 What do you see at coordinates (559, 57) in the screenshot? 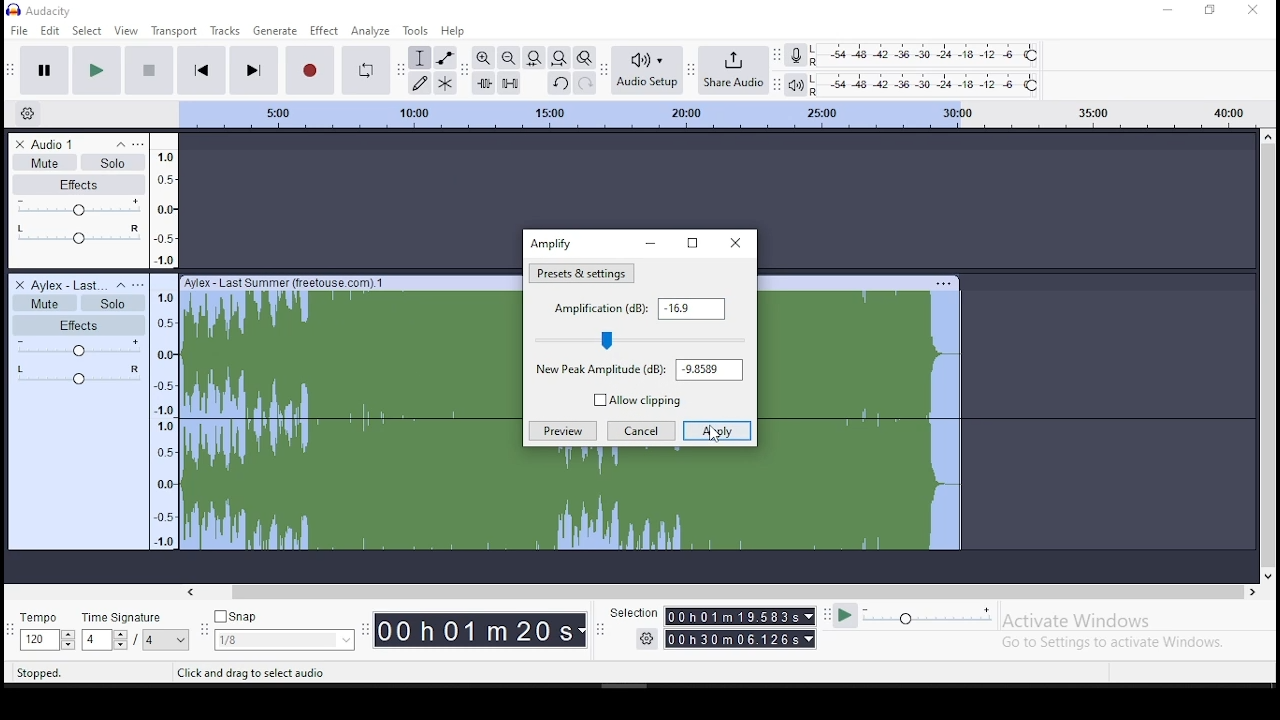
I see `fit to project to width` at bounding box center [559, 57].